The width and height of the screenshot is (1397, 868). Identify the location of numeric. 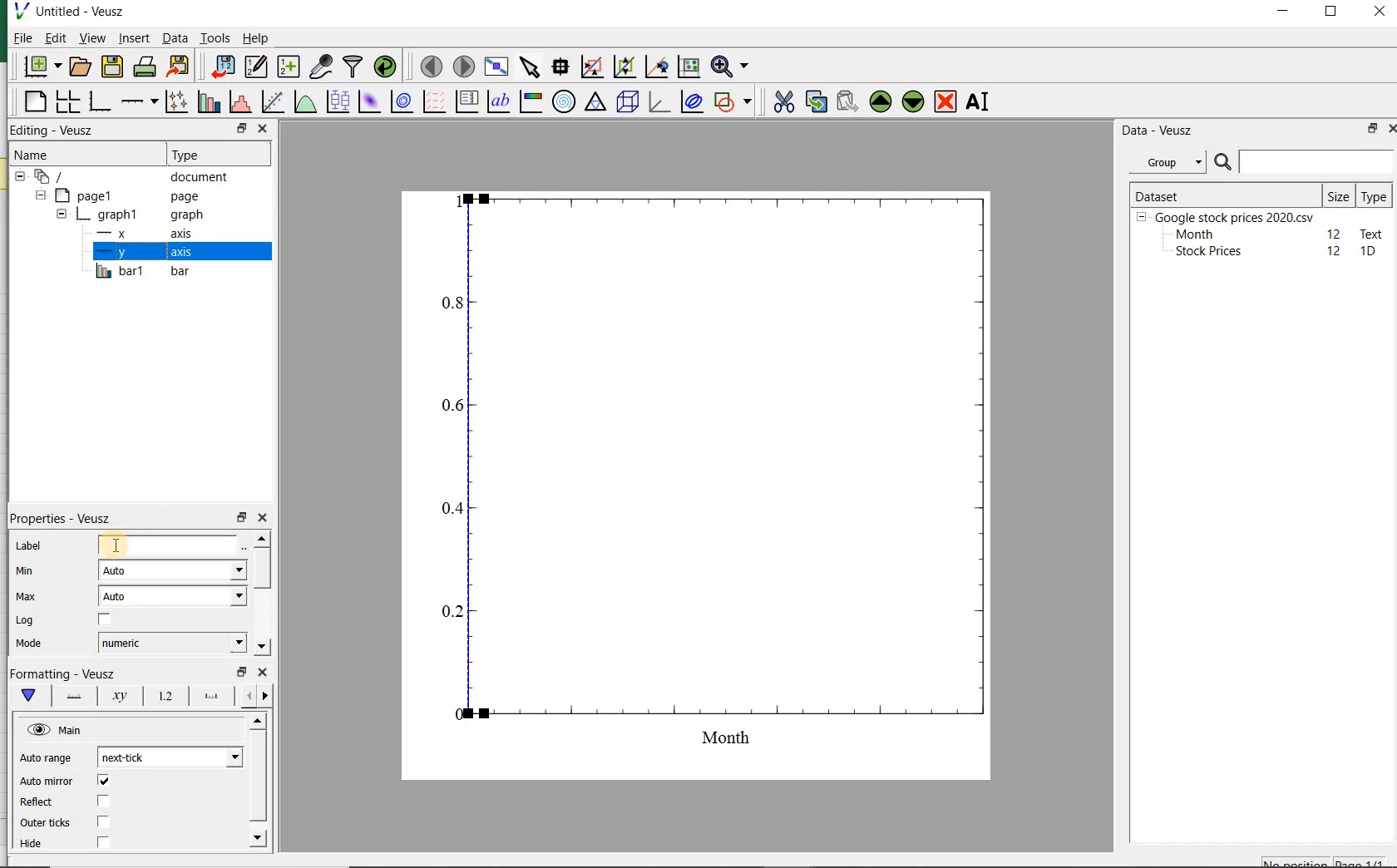
(170, 643).